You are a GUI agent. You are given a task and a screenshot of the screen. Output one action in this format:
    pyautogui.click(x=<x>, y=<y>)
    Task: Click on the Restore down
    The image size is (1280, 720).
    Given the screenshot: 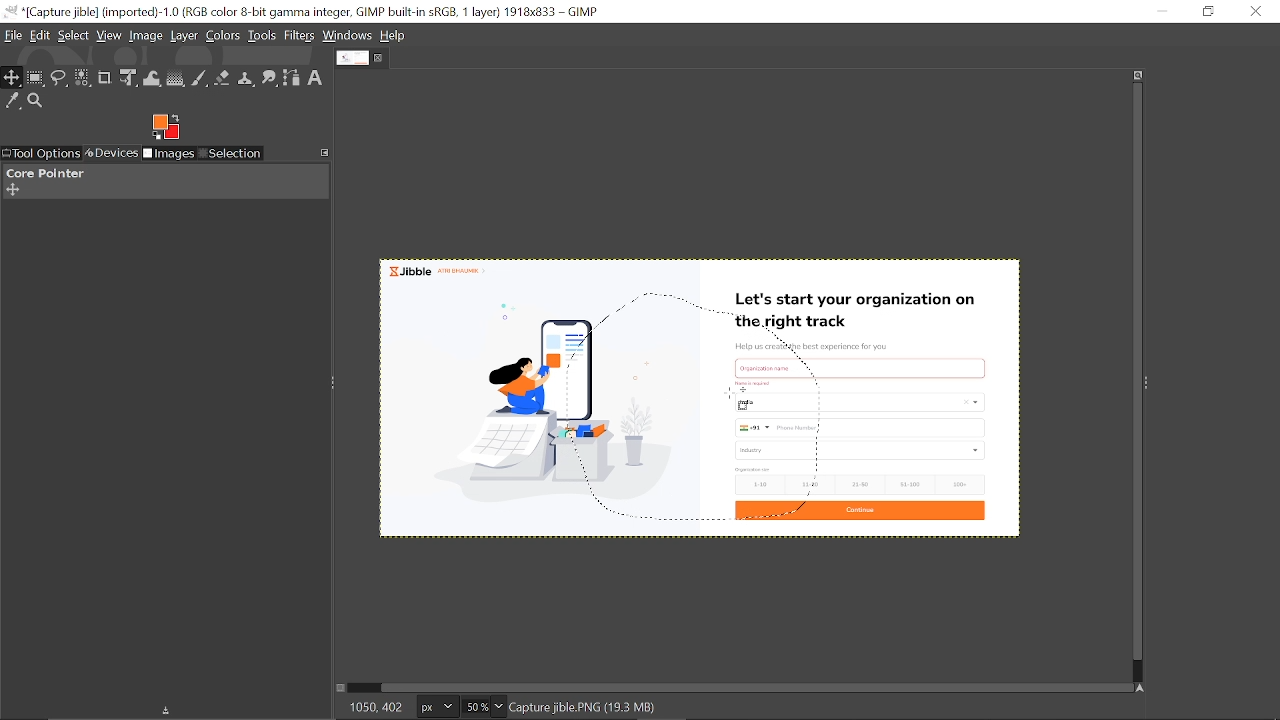 What is the action you would take?
    pyautogui.click(x=1210, y=11)
    